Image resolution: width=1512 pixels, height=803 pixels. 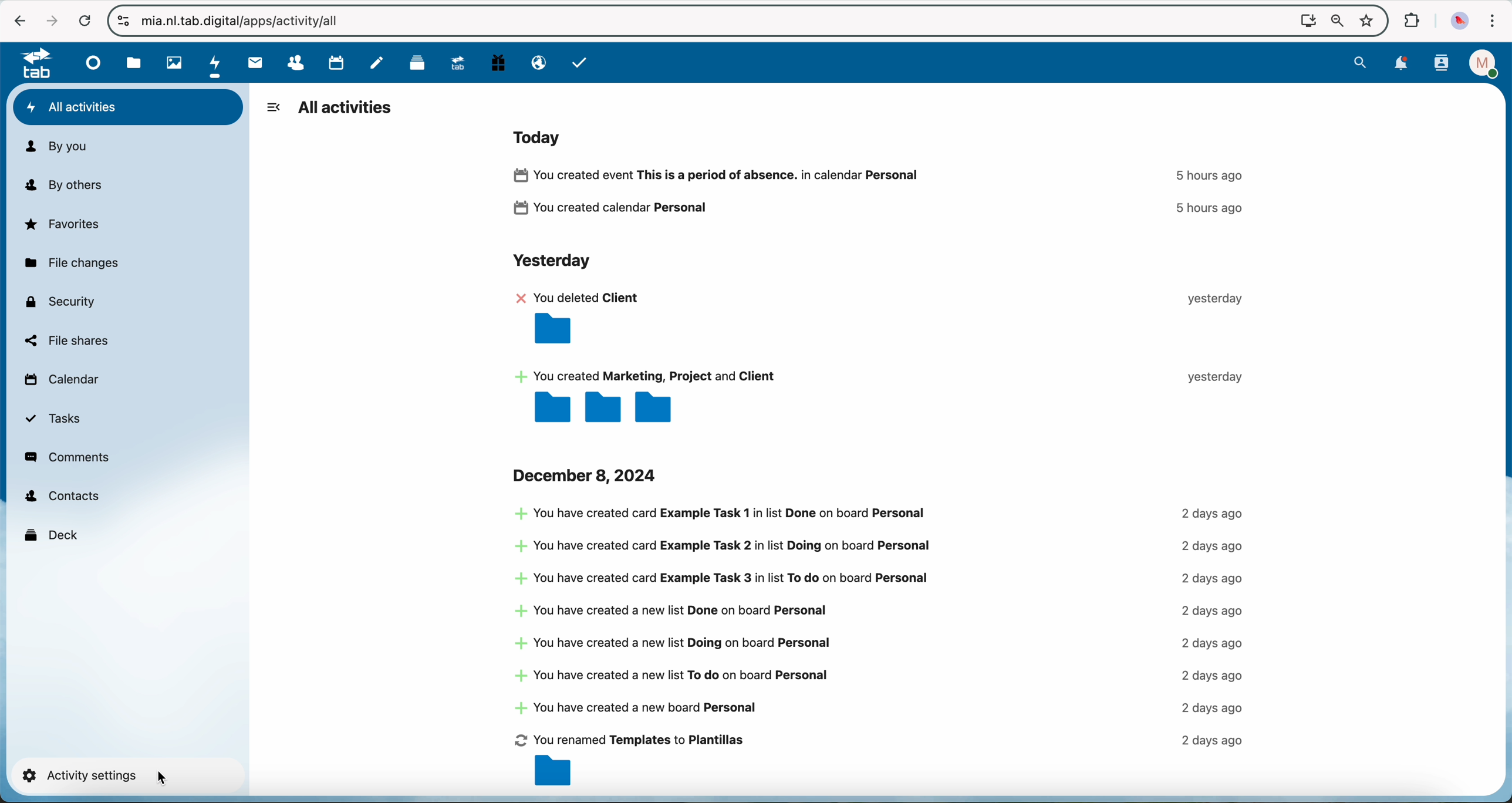 What do you see at coordinates (253, 63) in the screenshot?
I see `mail` at bounding box center [253, 63].